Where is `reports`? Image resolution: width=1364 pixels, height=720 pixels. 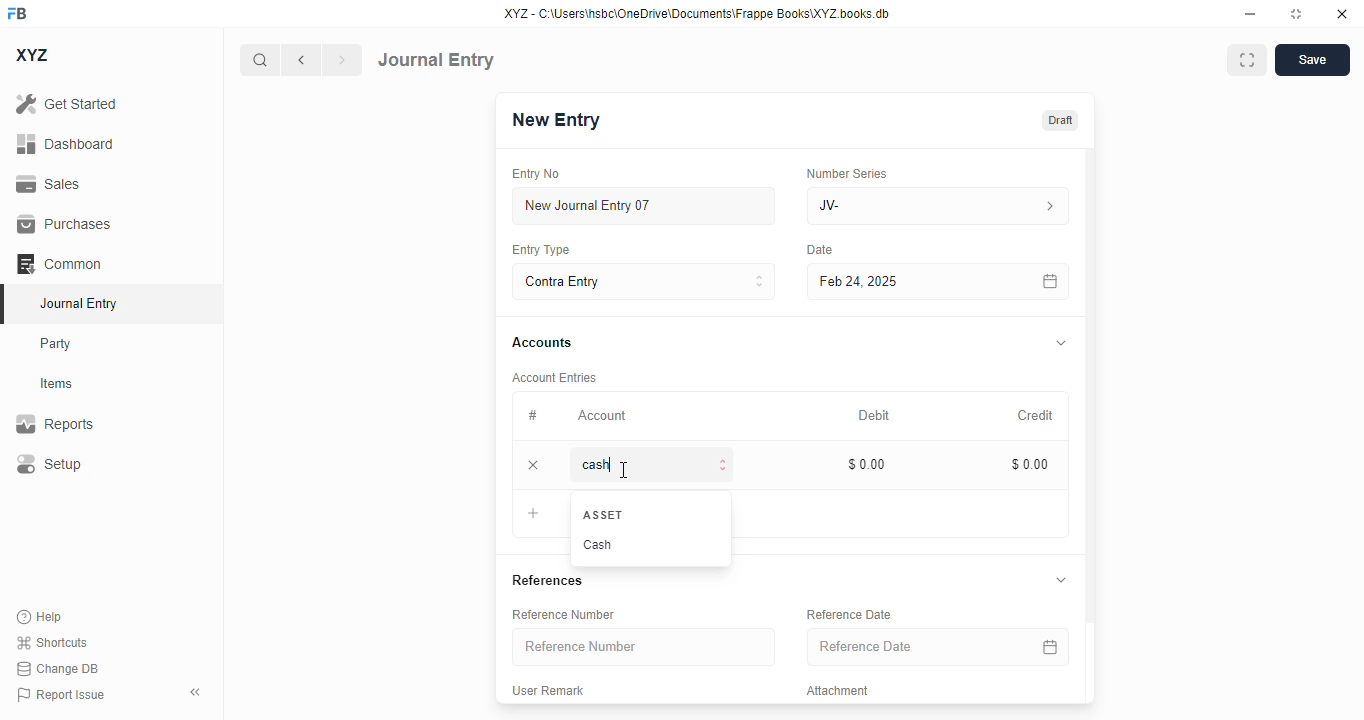
reports is located at coordinates (55, 423).